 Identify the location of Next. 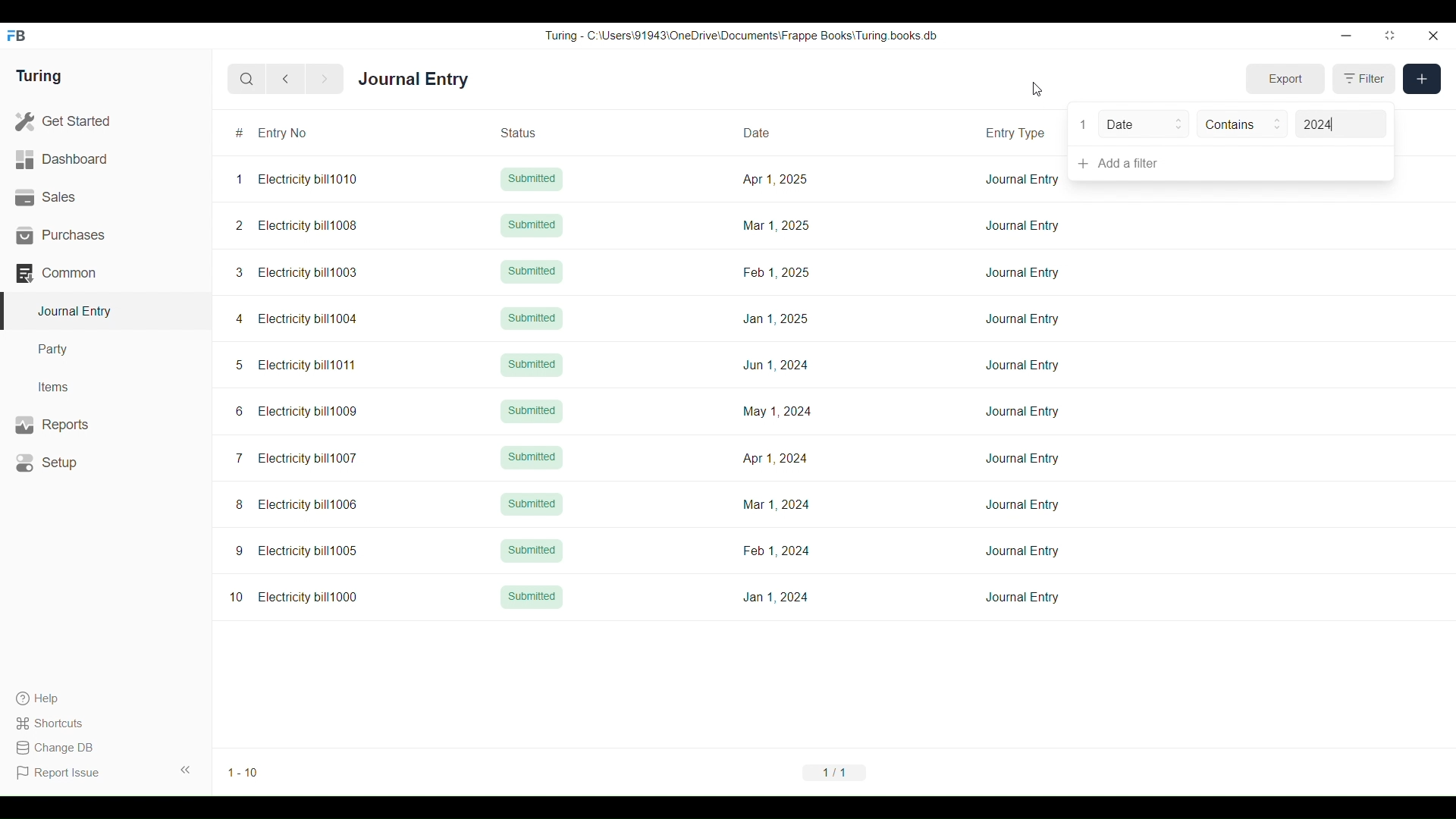
(325, 80).